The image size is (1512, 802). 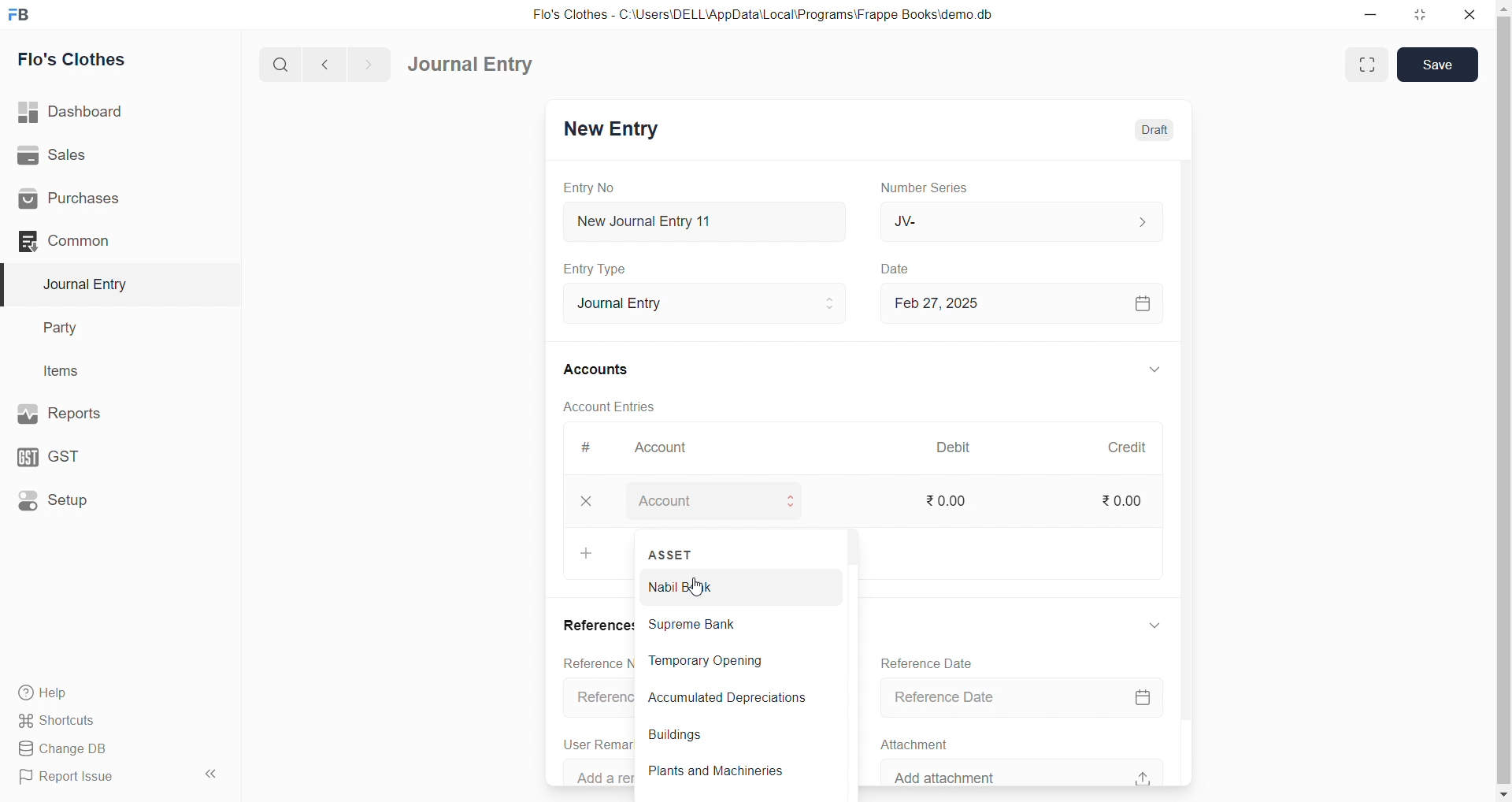 What do you see at coordinates (1137, 448) in the screenshot?
I see `Credit` at bounding box center [1137, 448].